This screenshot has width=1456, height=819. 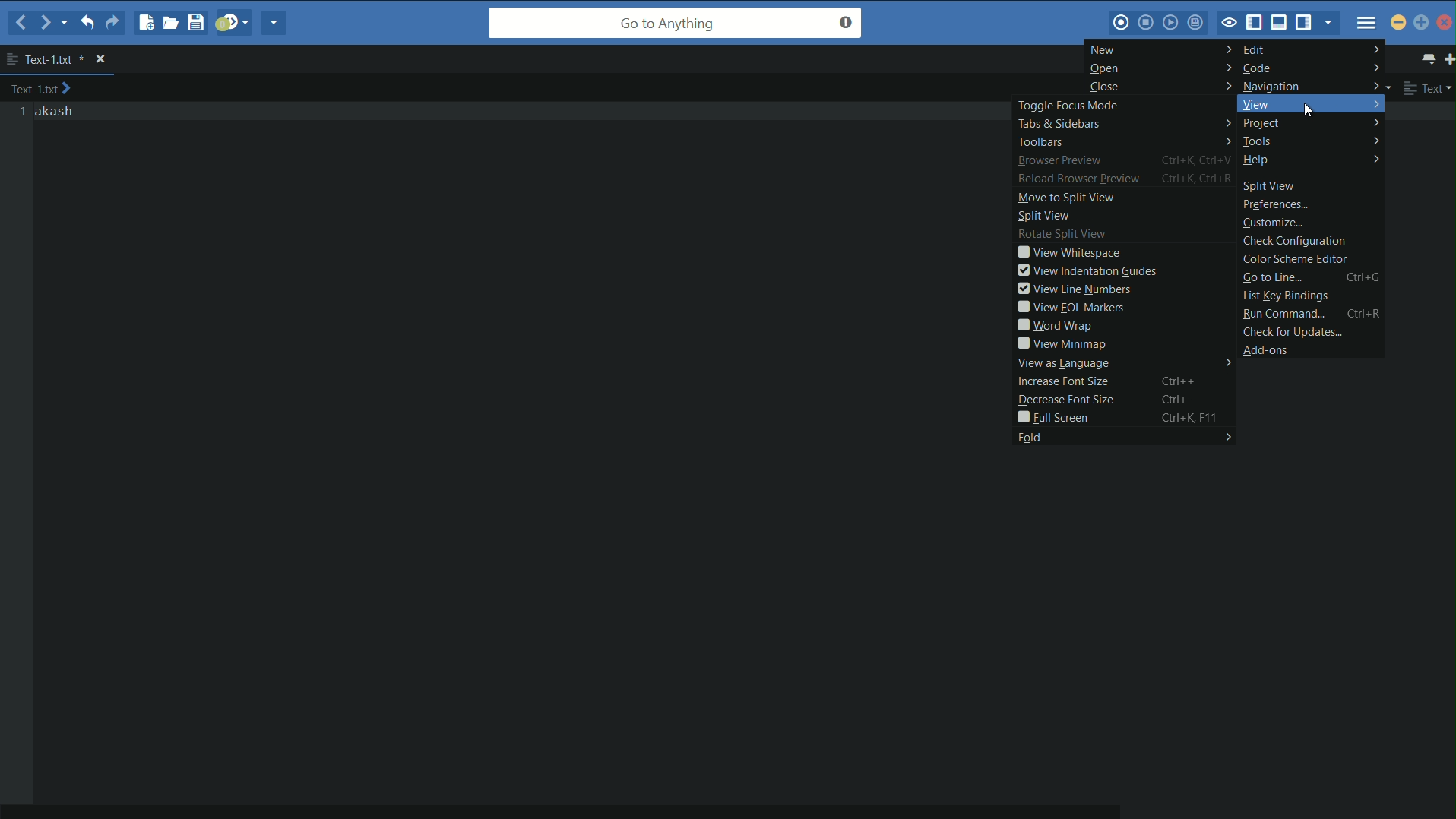 I want to click on show specific sidebar/tab, so click(x=1331, y=23).